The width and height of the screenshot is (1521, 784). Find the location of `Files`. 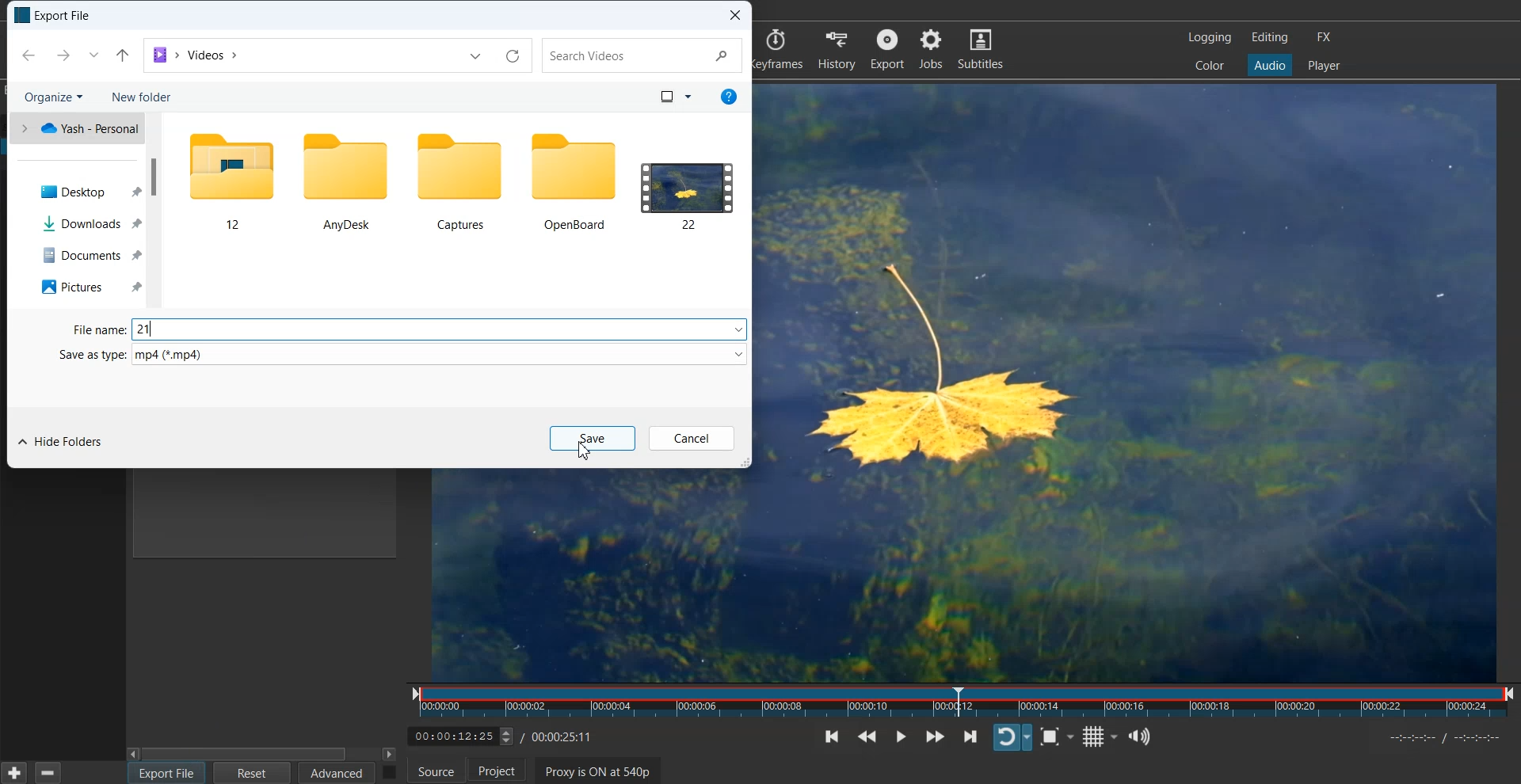

Files is located at coordinates (224, 181).